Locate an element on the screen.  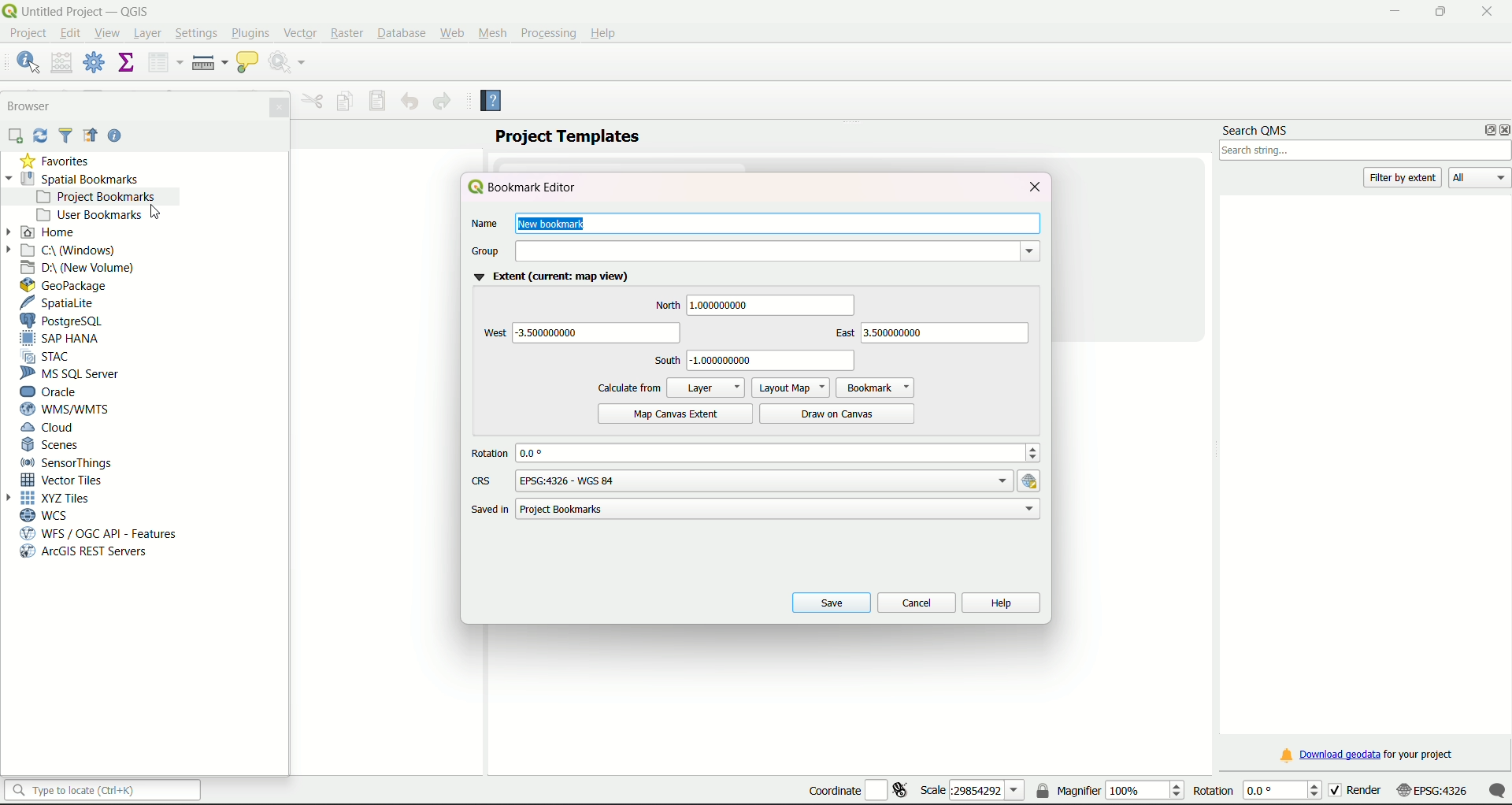
Map canvas extent is located at coordinates (676, 414).